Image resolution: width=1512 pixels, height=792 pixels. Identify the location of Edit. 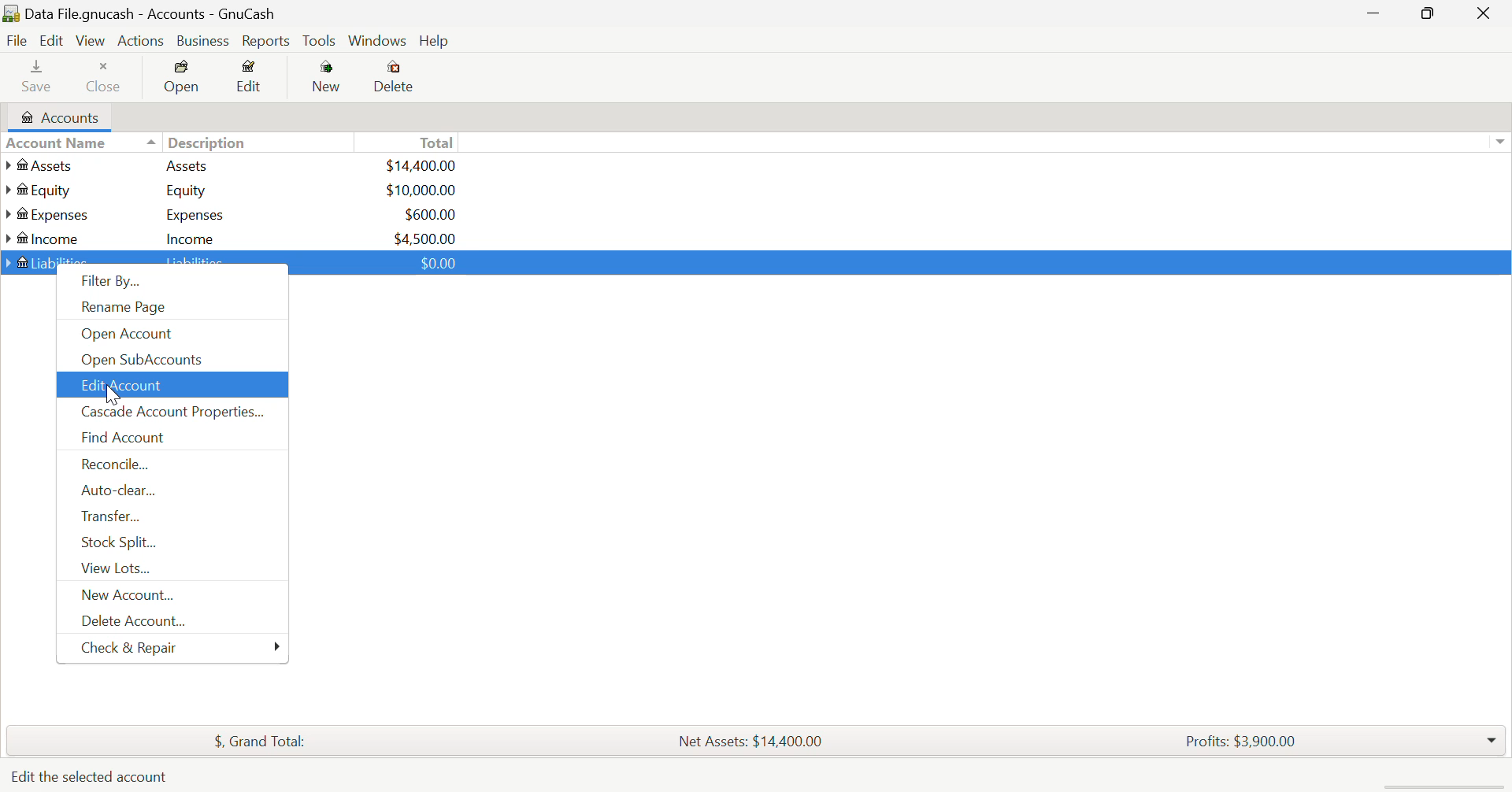
(250, 80).